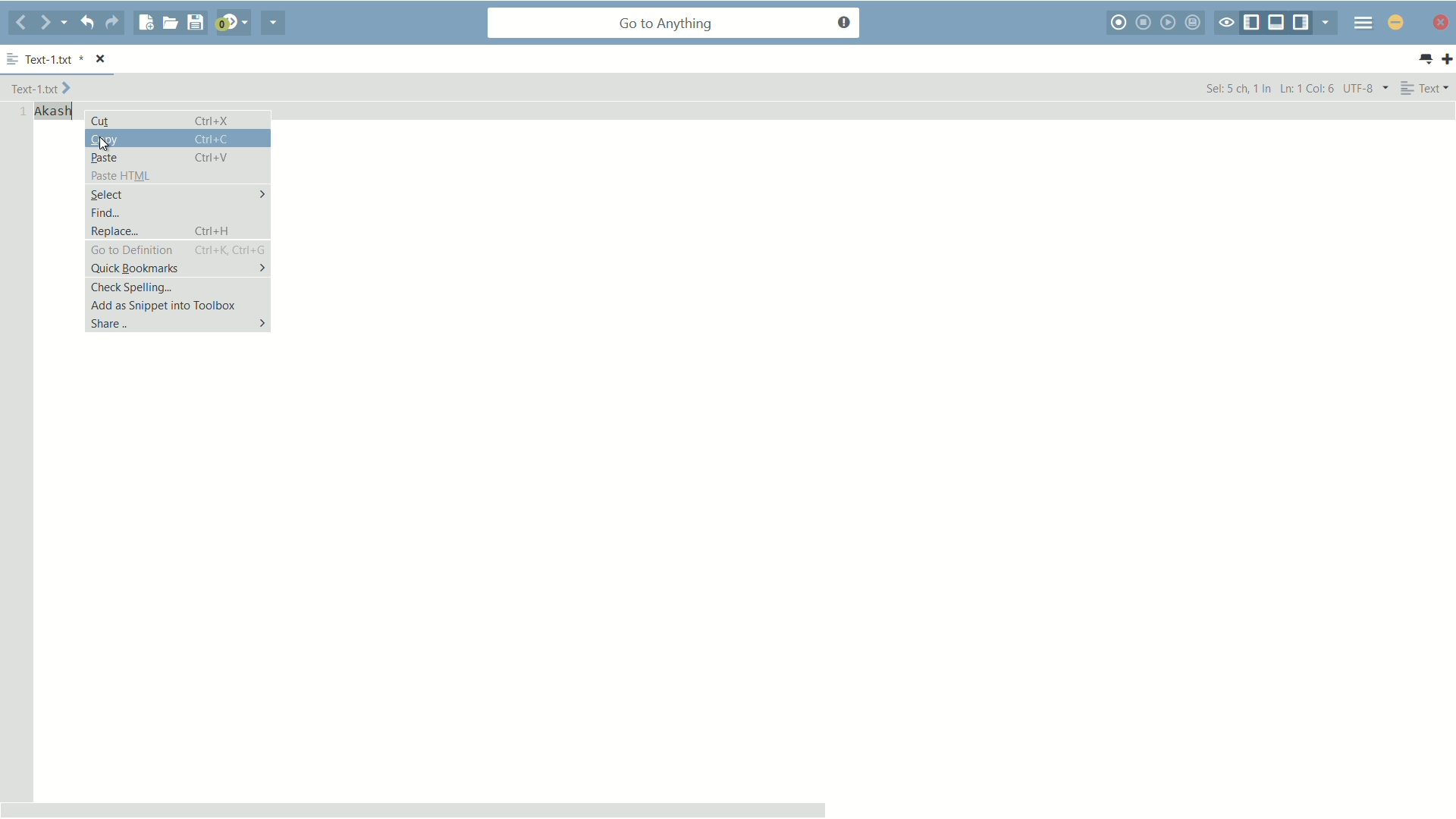 This screenshot has width=1456, height=819. I want to click on hide/show left panel, so click(1252, 24).